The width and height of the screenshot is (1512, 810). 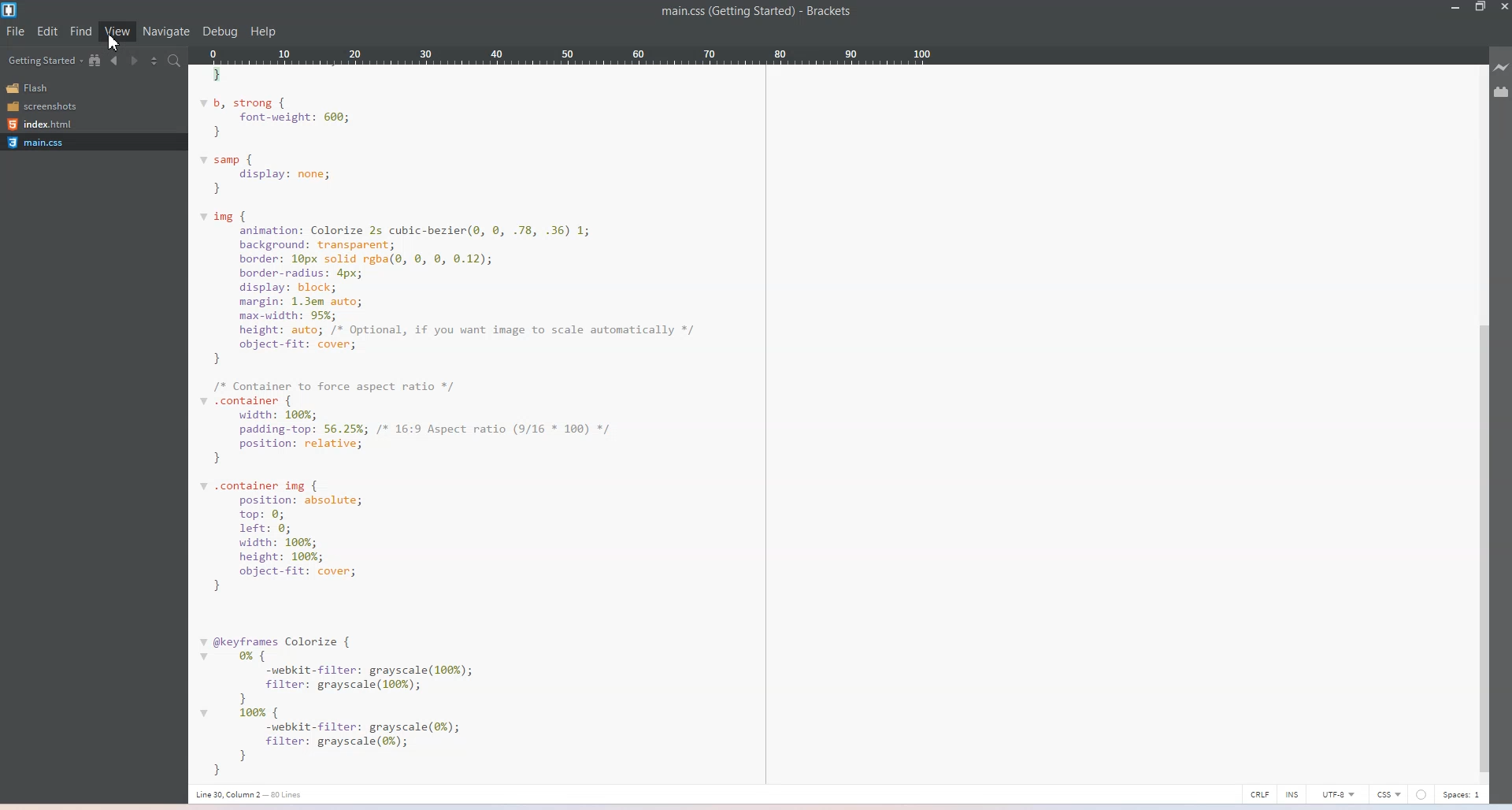 What do you see at coordinates (1502, 67) in the screenshot?
I see `Live Preview` at bounding box center [1502, 67].